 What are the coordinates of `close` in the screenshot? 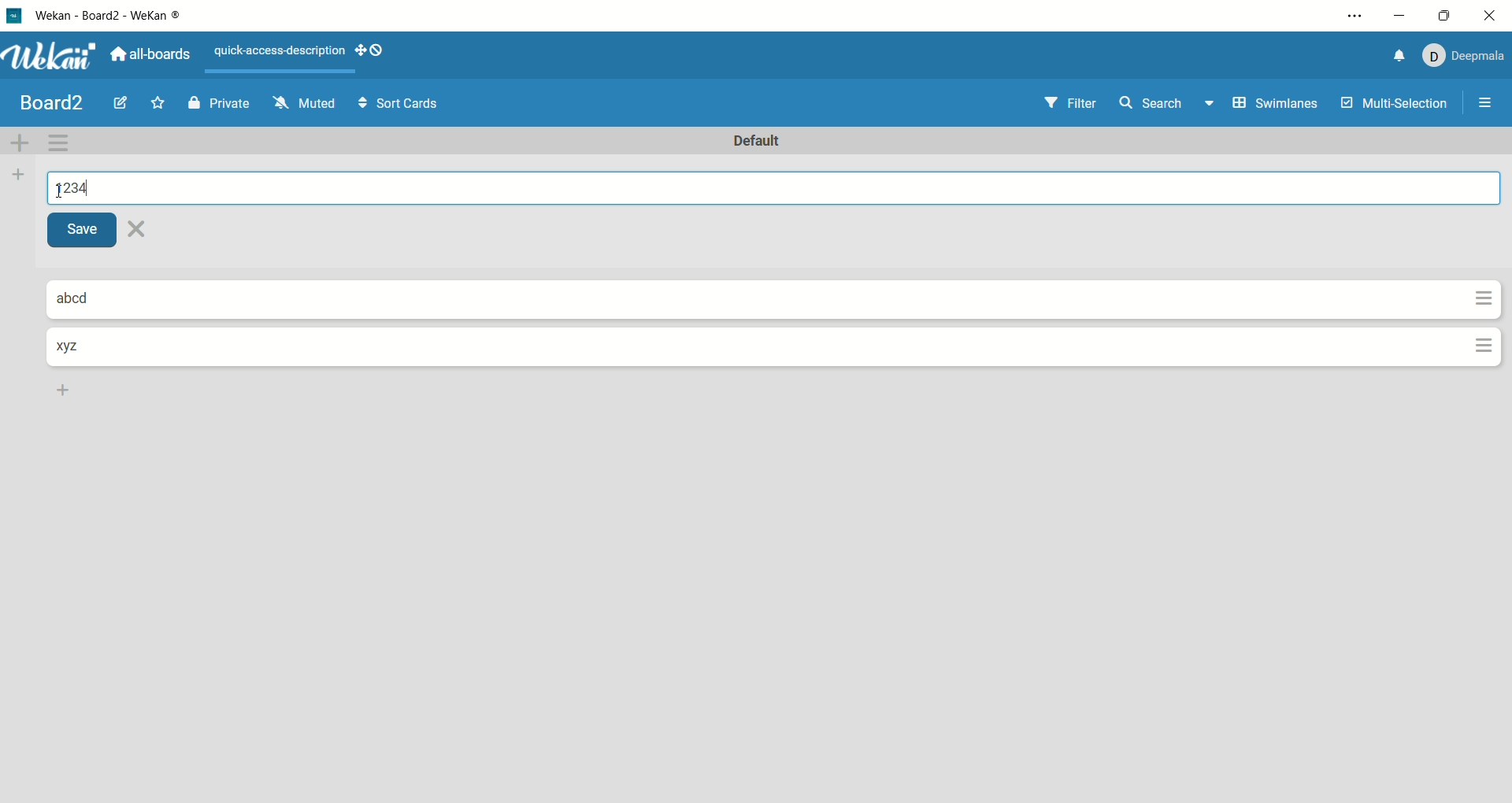 It's located at (140, 230).